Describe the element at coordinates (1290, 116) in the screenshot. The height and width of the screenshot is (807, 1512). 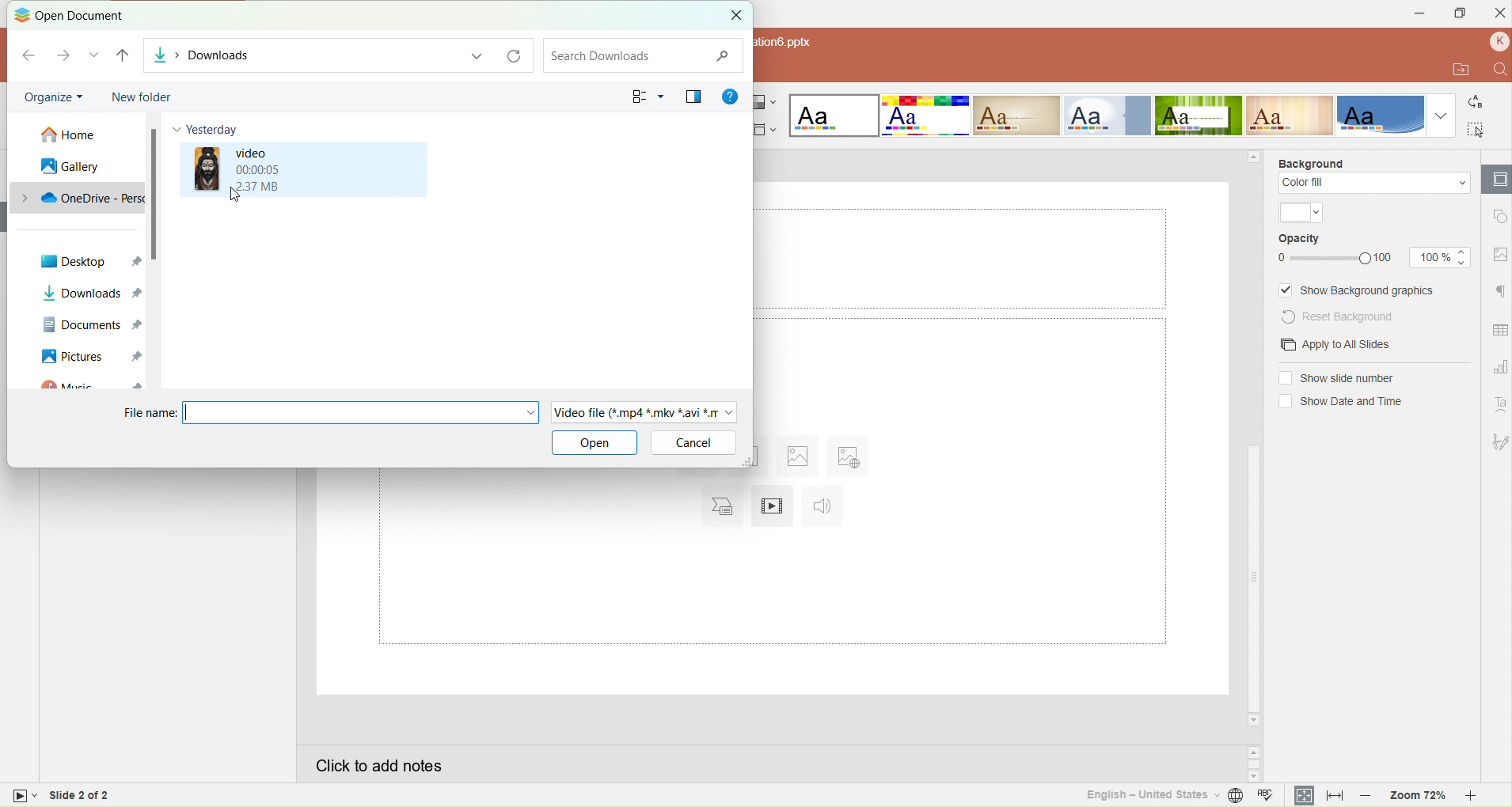
I see `Lines` at that location.